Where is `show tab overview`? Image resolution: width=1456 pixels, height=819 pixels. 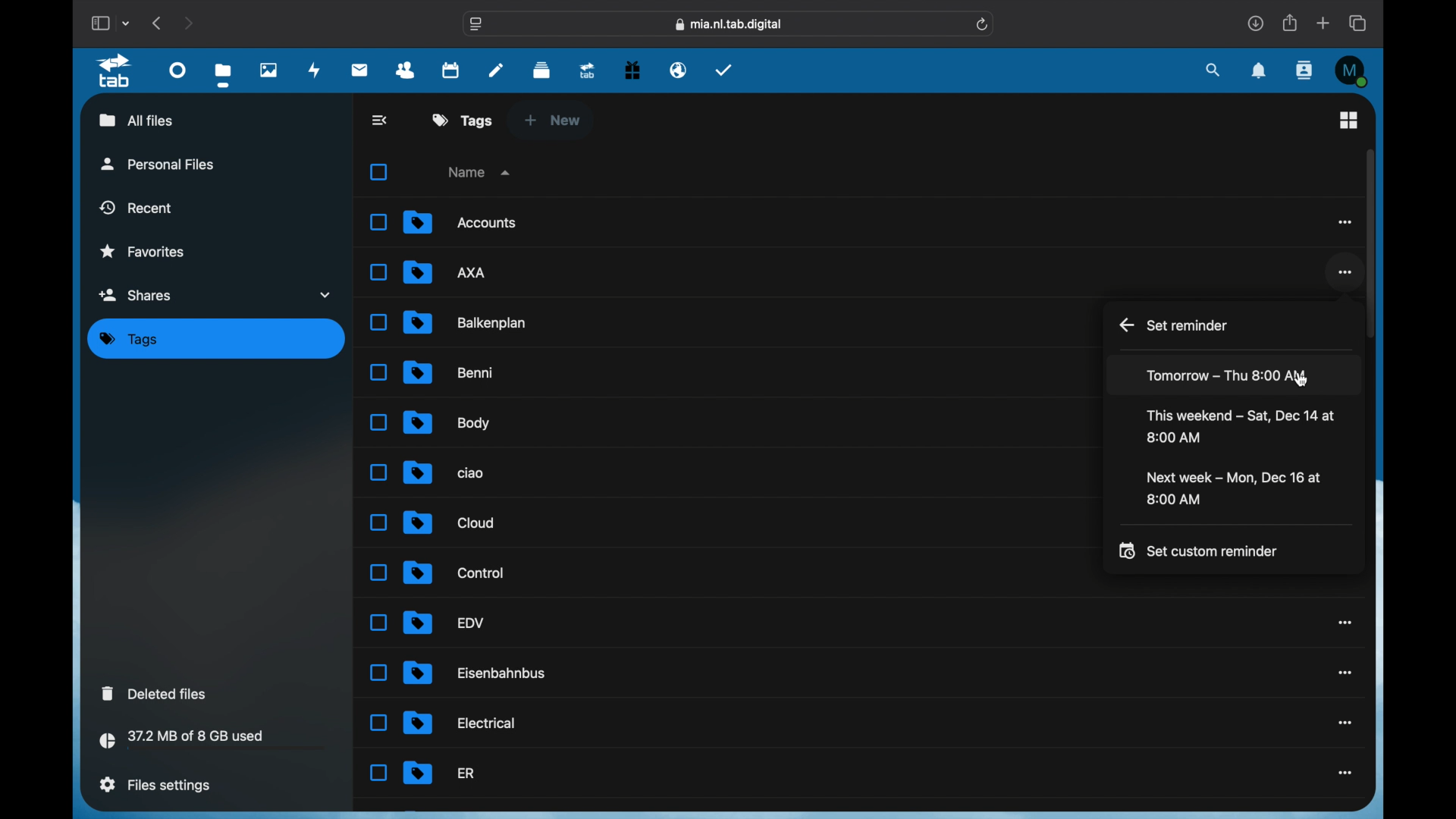 show tab overview is located at coordinates (1360, 23).